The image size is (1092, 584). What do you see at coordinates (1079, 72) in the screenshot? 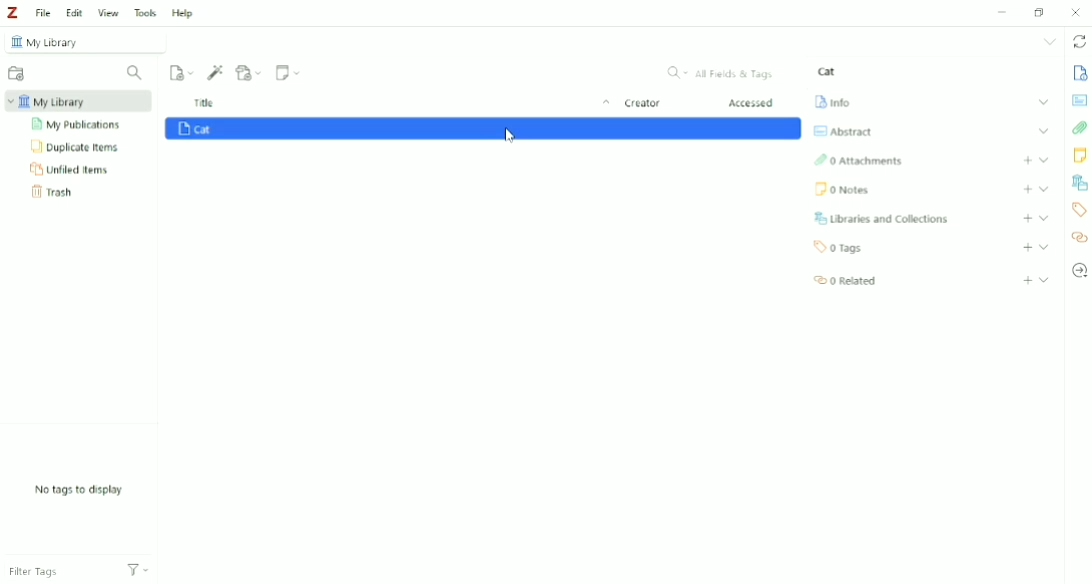
I see `Info` at bounding box center [1079, 72].